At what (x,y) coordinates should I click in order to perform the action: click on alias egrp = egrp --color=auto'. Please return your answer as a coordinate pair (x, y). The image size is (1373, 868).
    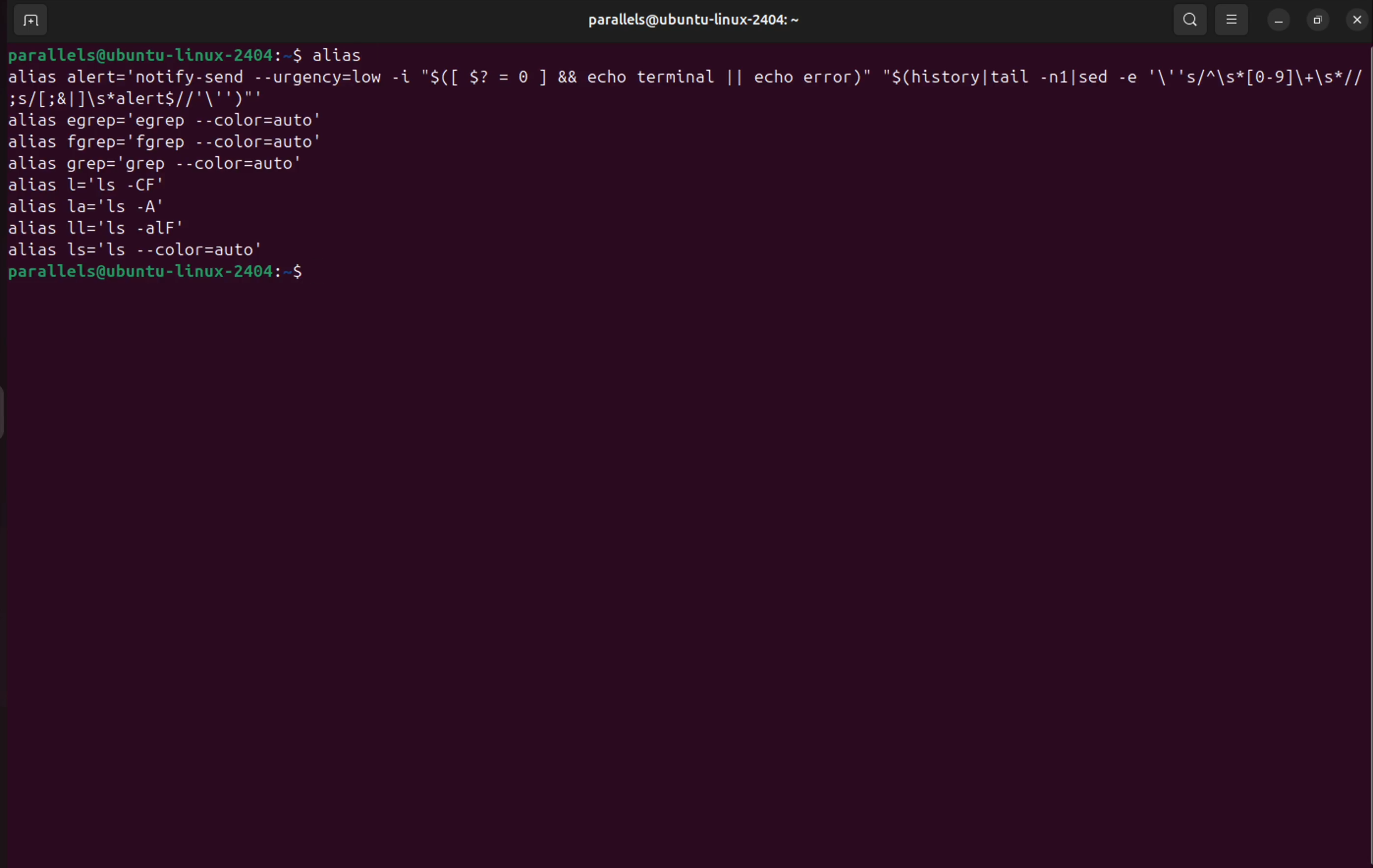
    Looking at the image, I should click on (176, 121).